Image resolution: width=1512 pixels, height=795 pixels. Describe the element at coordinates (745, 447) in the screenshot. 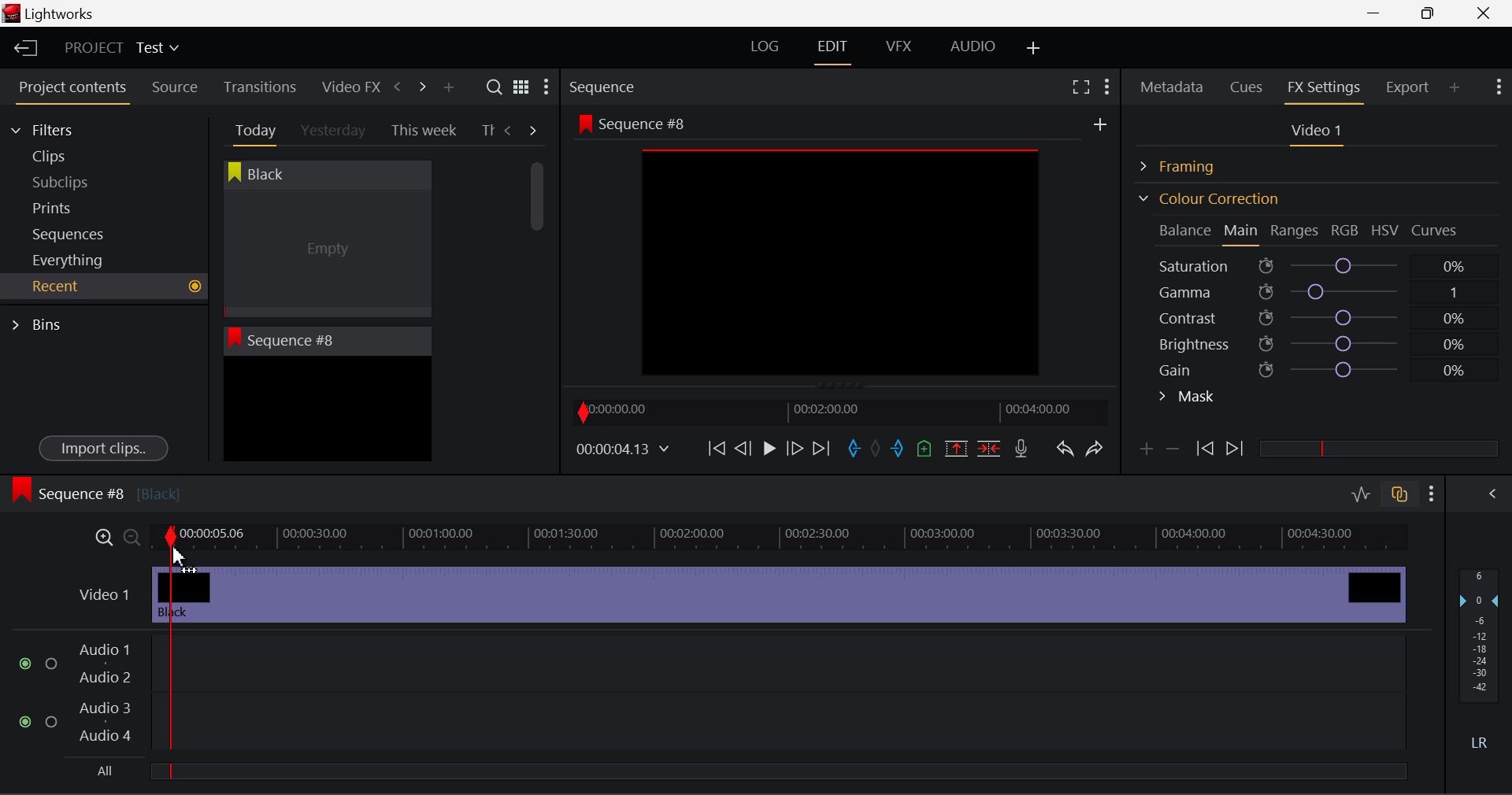

I see `Go Back` at that location.